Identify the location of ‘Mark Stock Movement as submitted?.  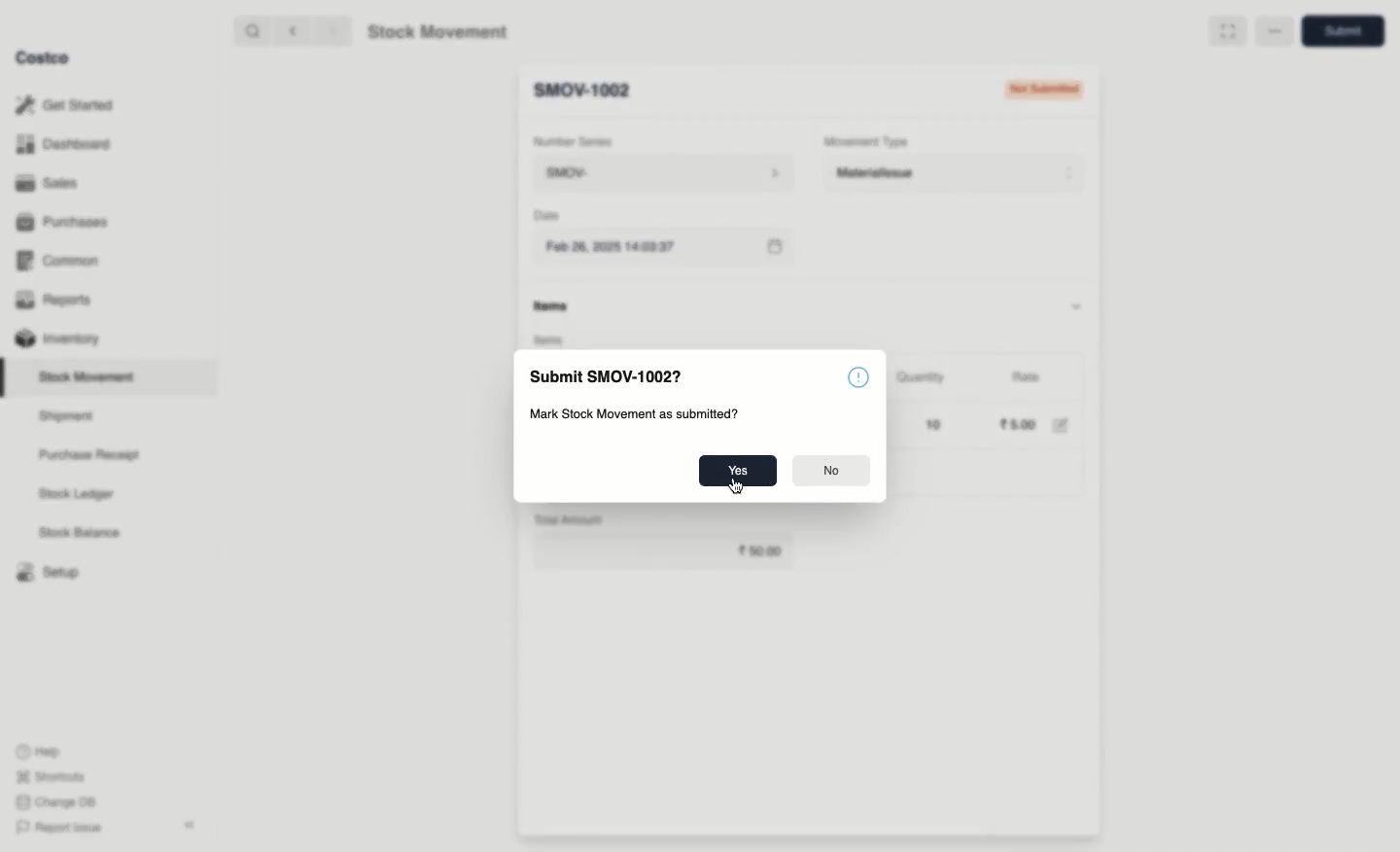
(633, 413).